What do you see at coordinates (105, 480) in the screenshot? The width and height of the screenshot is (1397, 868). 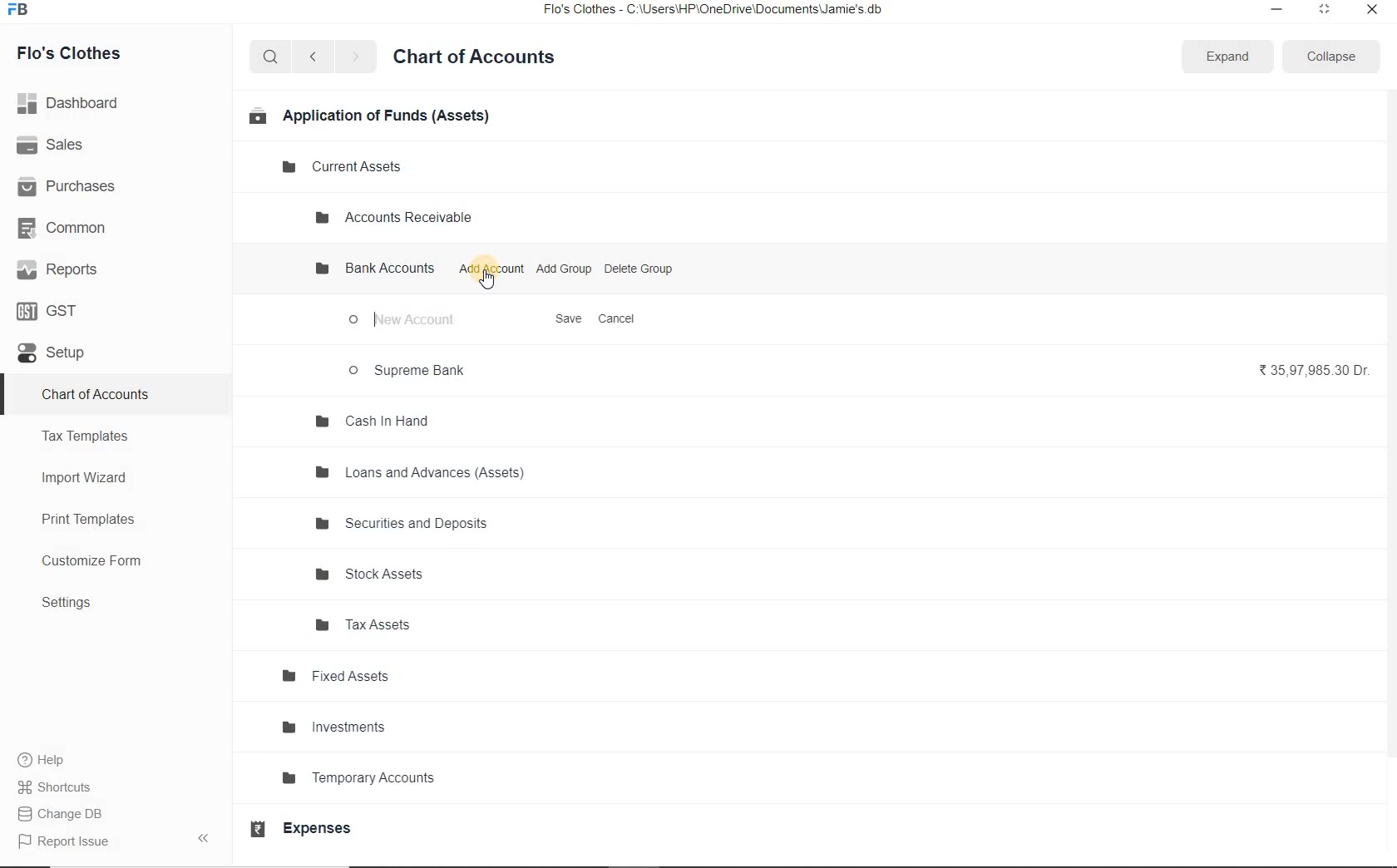 I see `Import Wizard` at bounding box center [105, 480].